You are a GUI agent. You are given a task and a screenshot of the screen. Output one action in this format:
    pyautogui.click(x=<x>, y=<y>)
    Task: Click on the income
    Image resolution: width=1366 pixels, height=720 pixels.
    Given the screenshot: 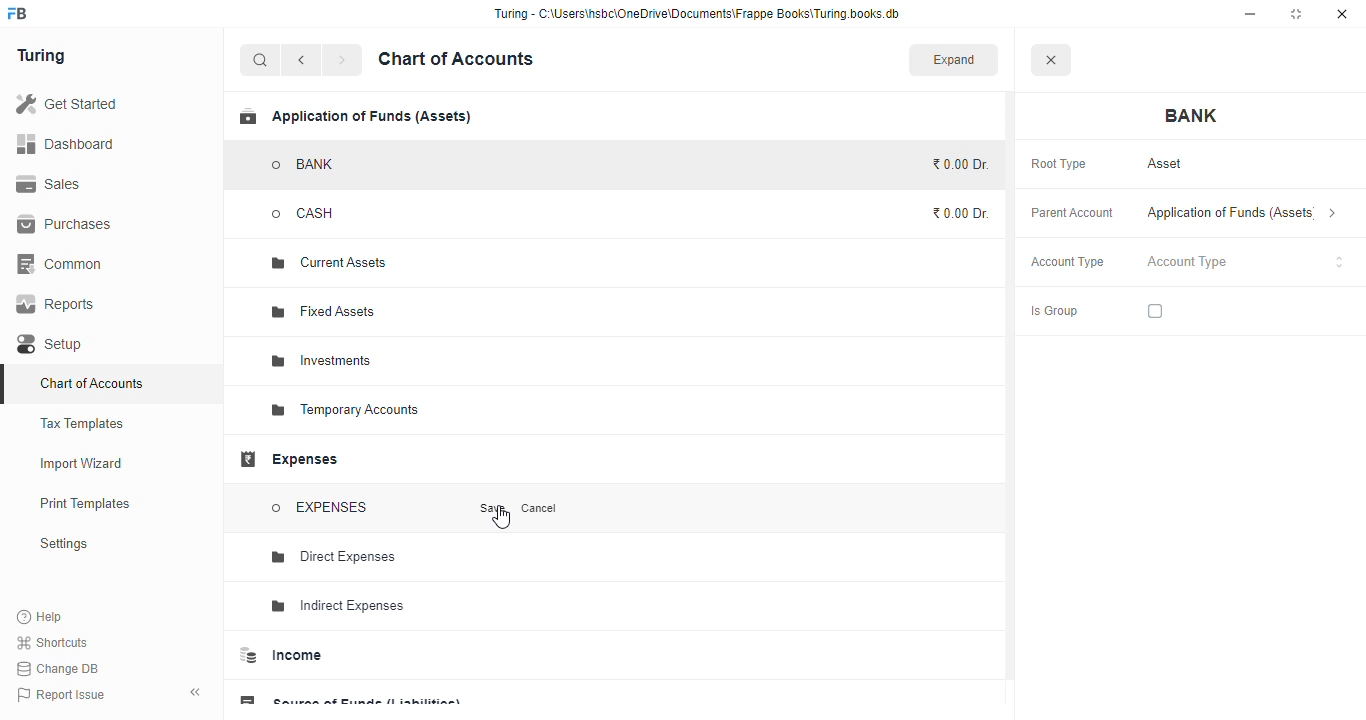 What is the action you would take?
    pyautogui.click(x=281, y=655)
    